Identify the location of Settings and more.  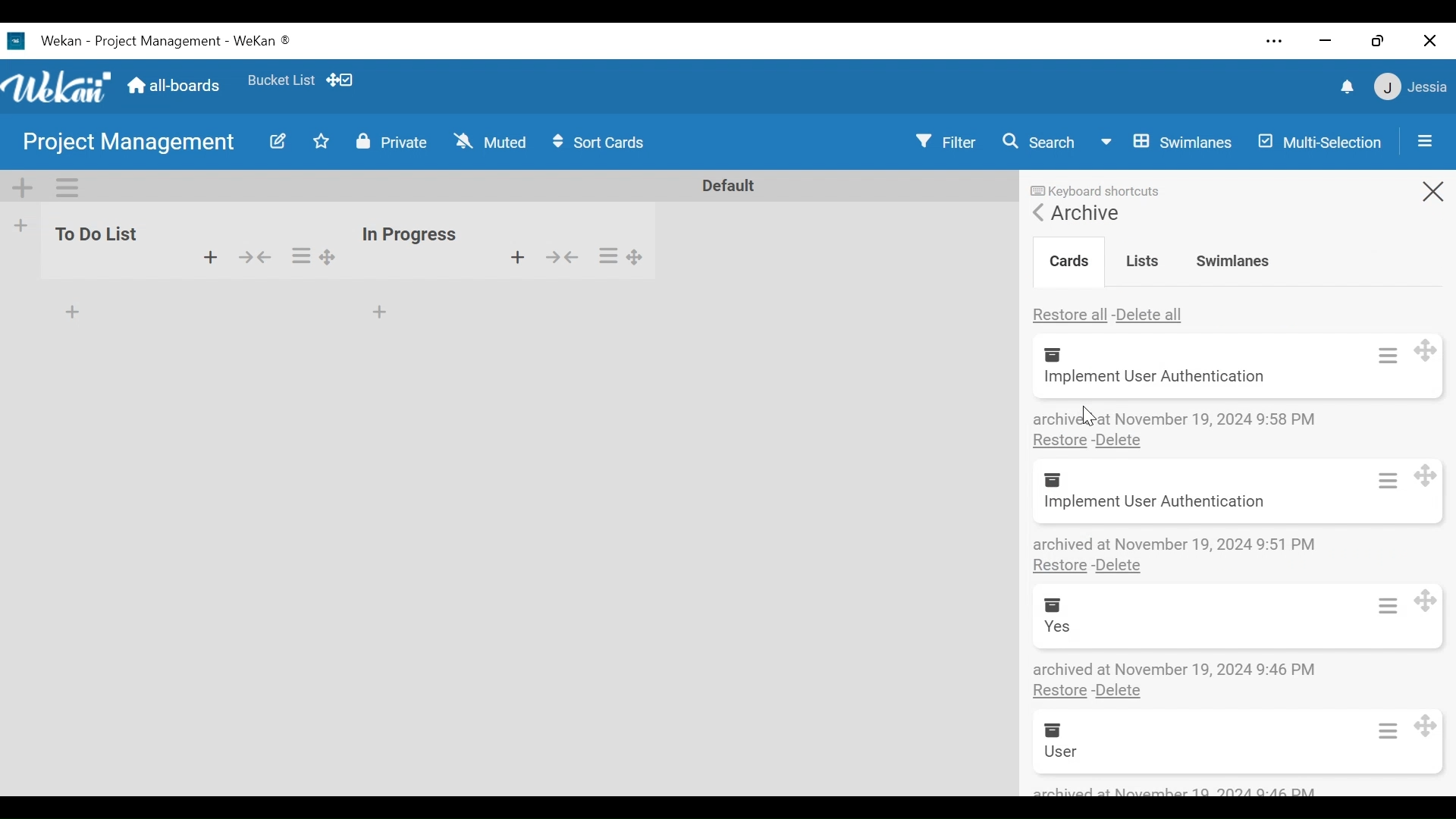
(1276, 40).